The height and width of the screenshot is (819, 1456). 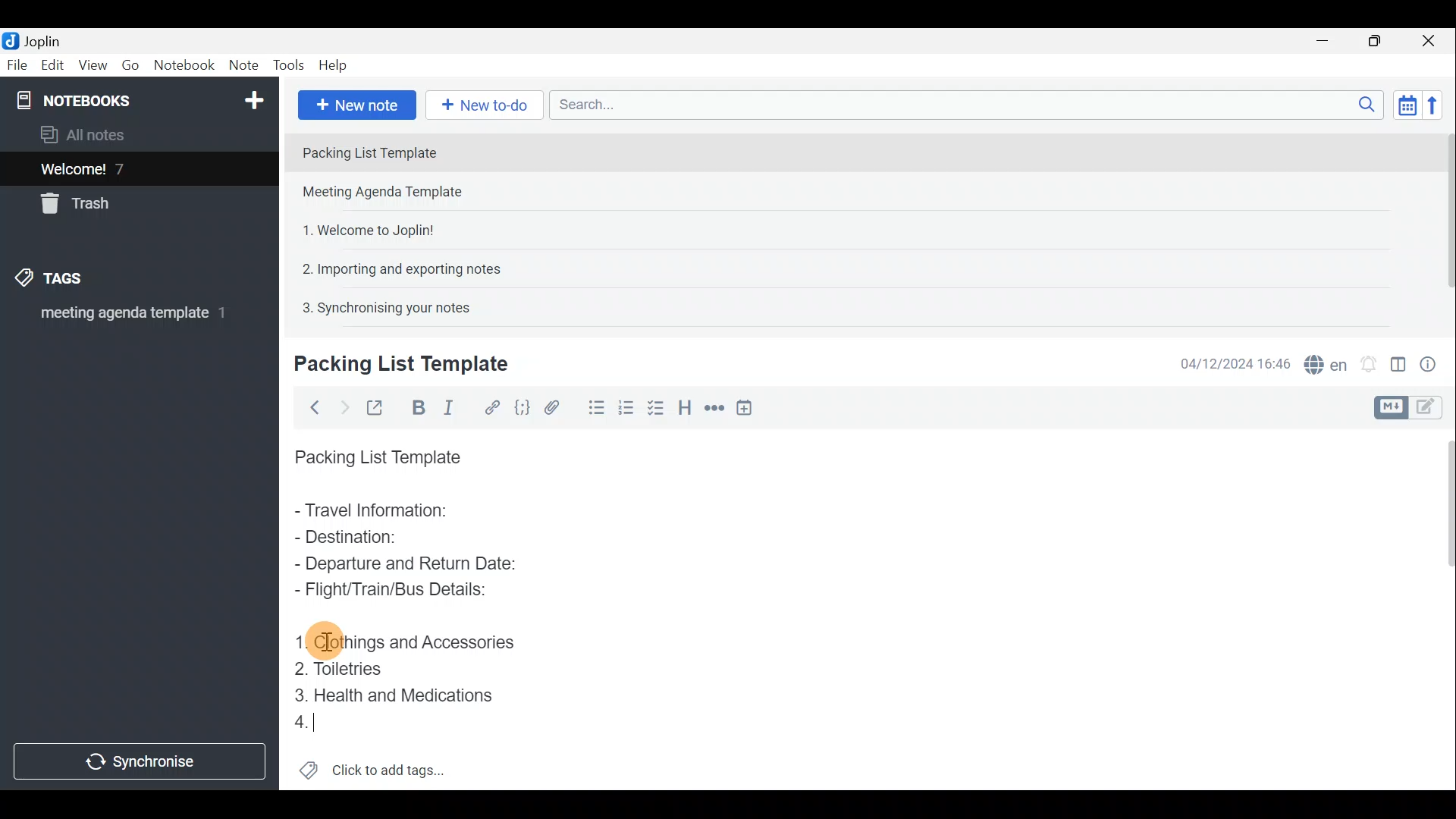 What do you see at coordinates (1322, 362) in the screenshot?
I see `Spell checker` at bounding box center [1322, 362].